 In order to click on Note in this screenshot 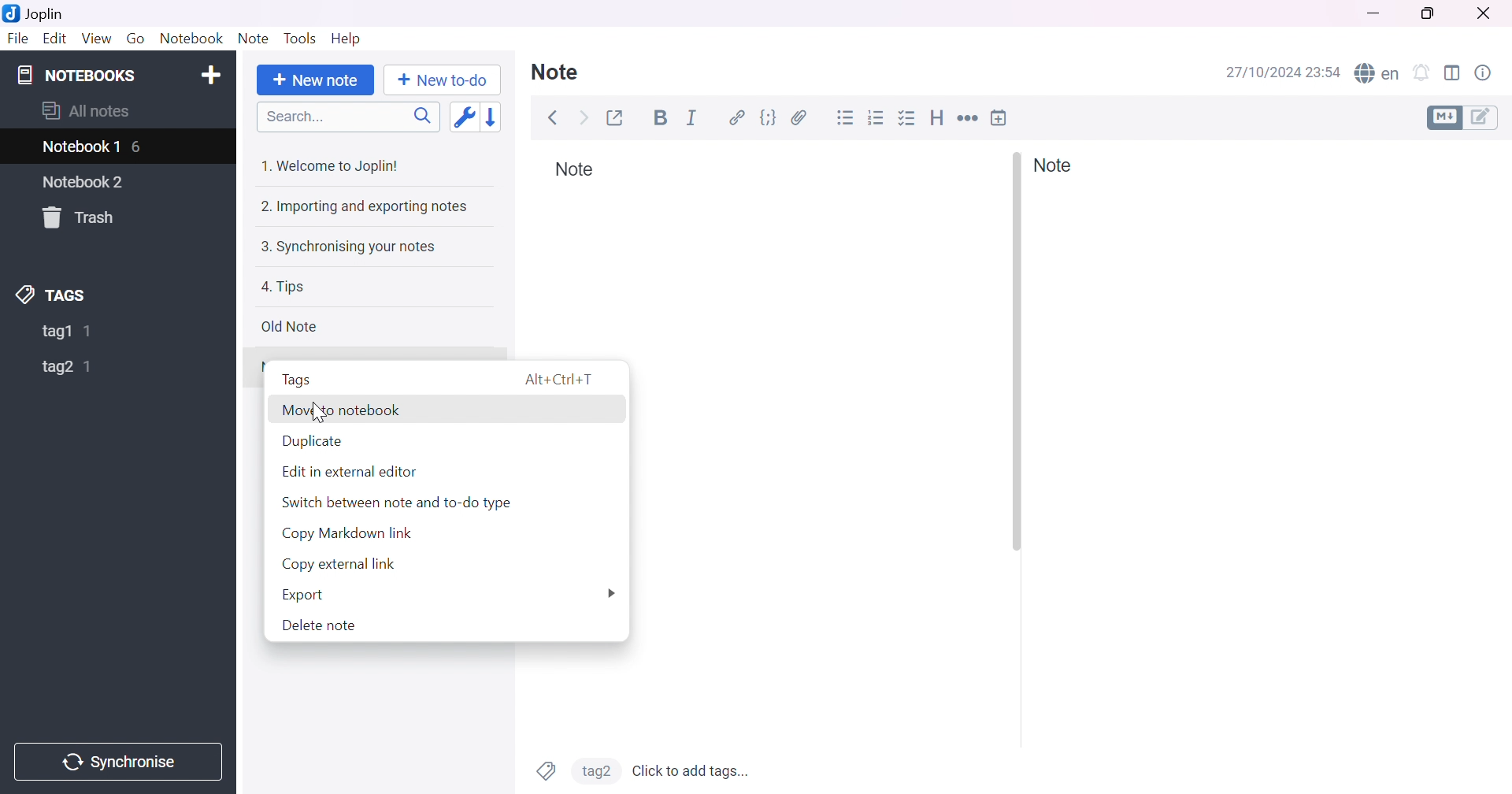, I will do `click(556, 73)`.